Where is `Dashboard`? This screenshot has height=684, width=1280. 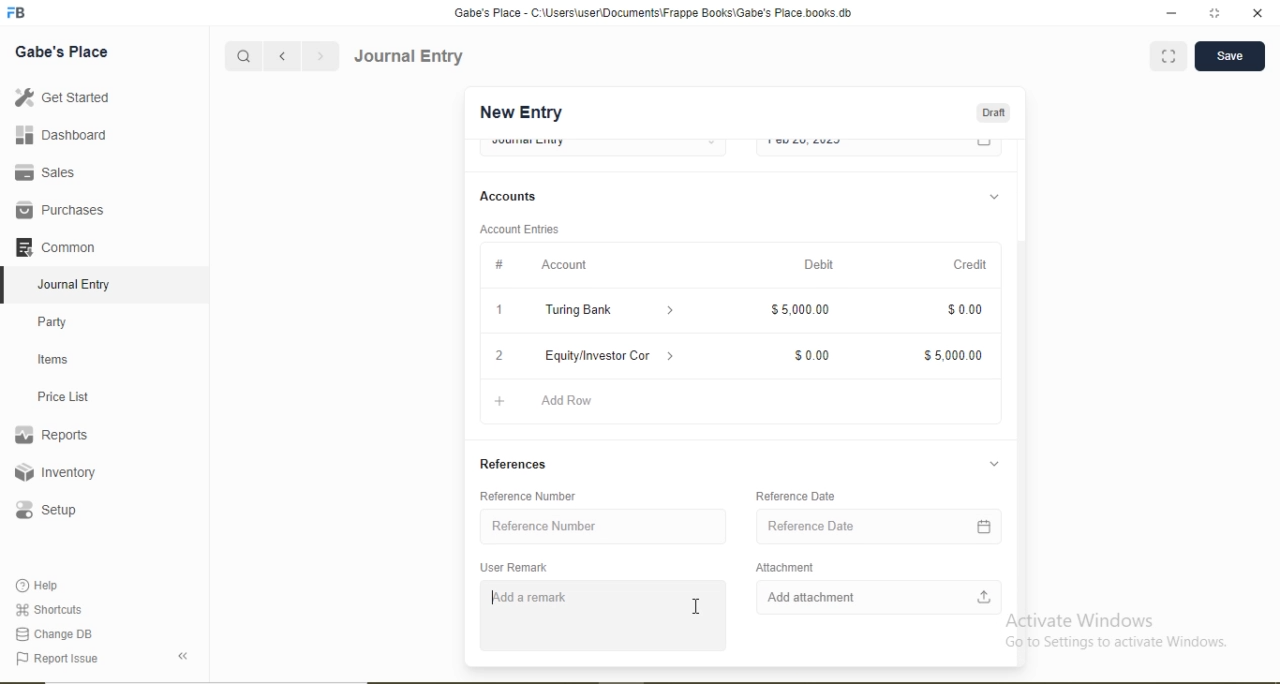 Dashboard is located at coordinates (62, 134).